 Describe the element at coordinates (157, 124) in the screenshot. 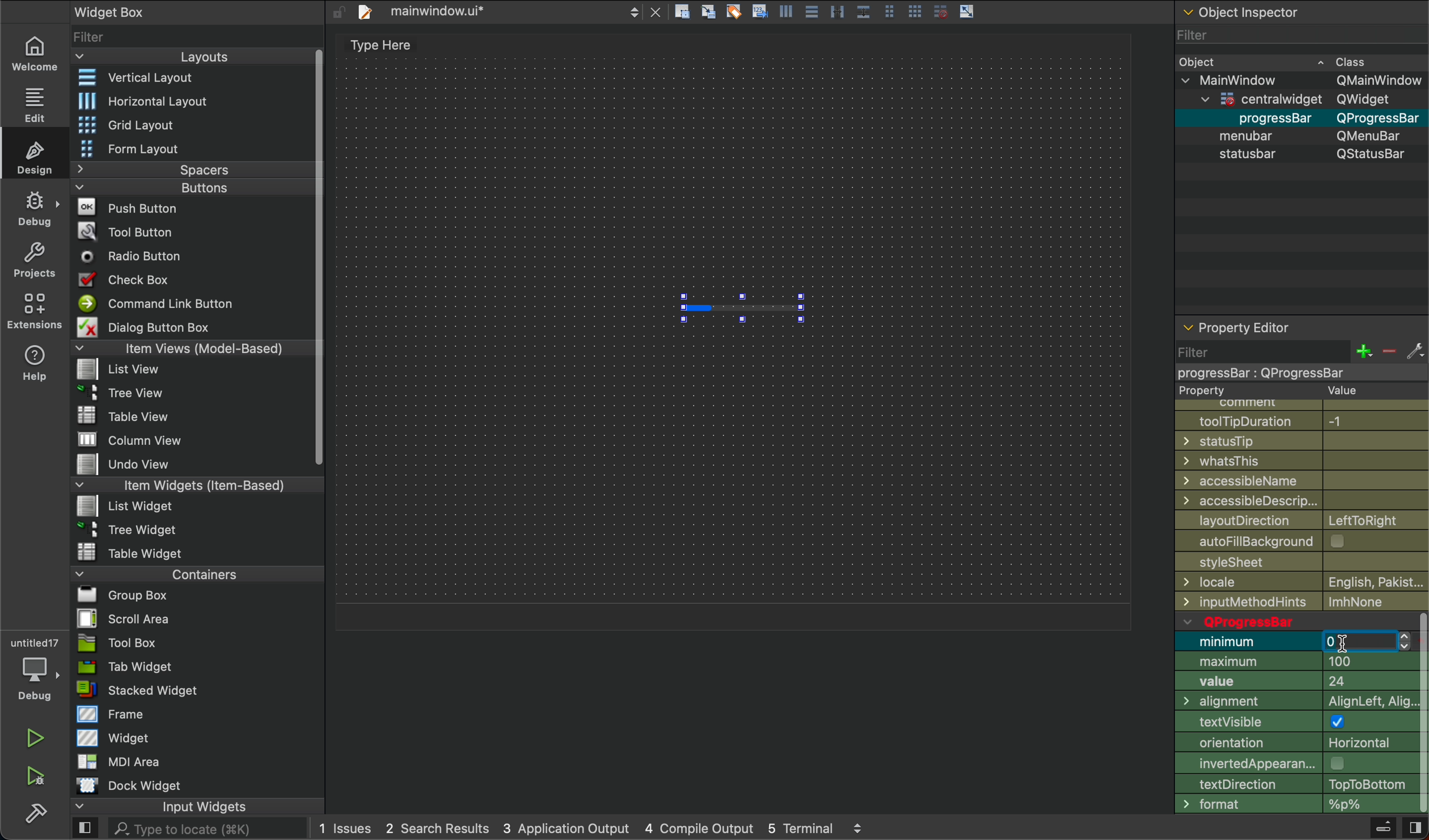

I see `Grid Layout` at that location.